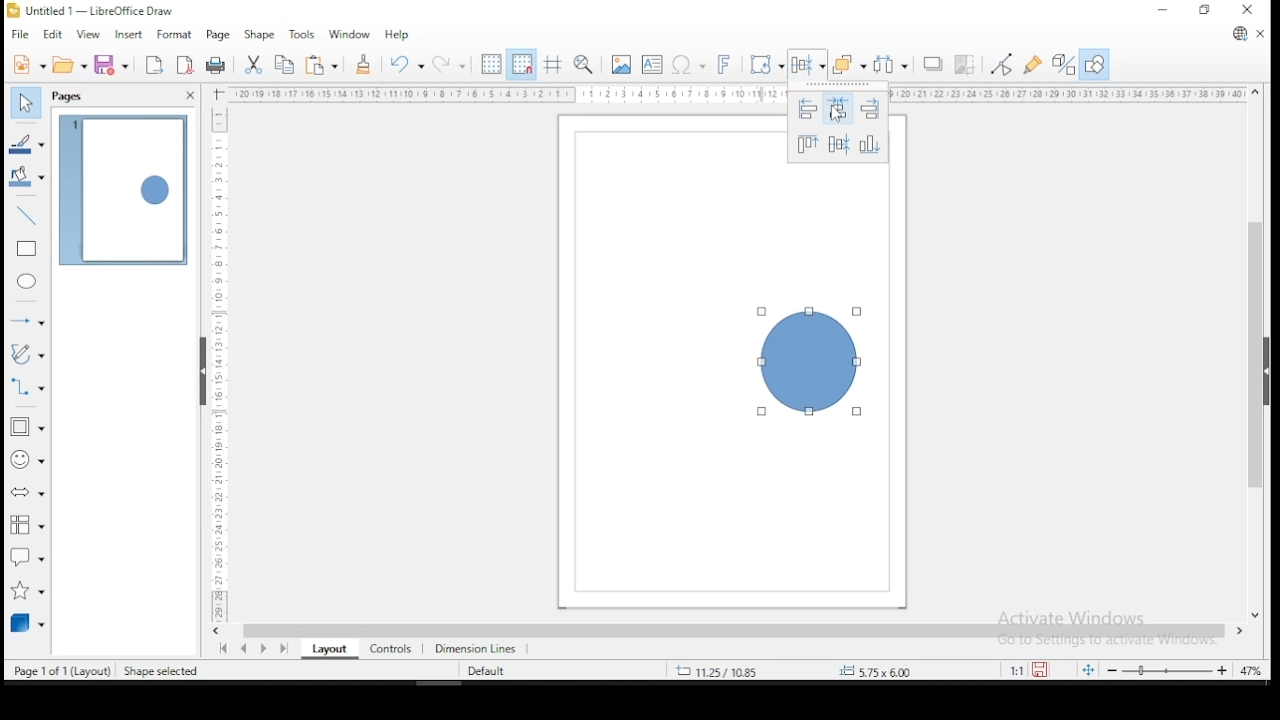 Image resolution: width=1280 pixels, height=720 pixels. What do you see at coordinates (252, 65) in the screenshot?
I see `cut` at bounding box center [252, 65].